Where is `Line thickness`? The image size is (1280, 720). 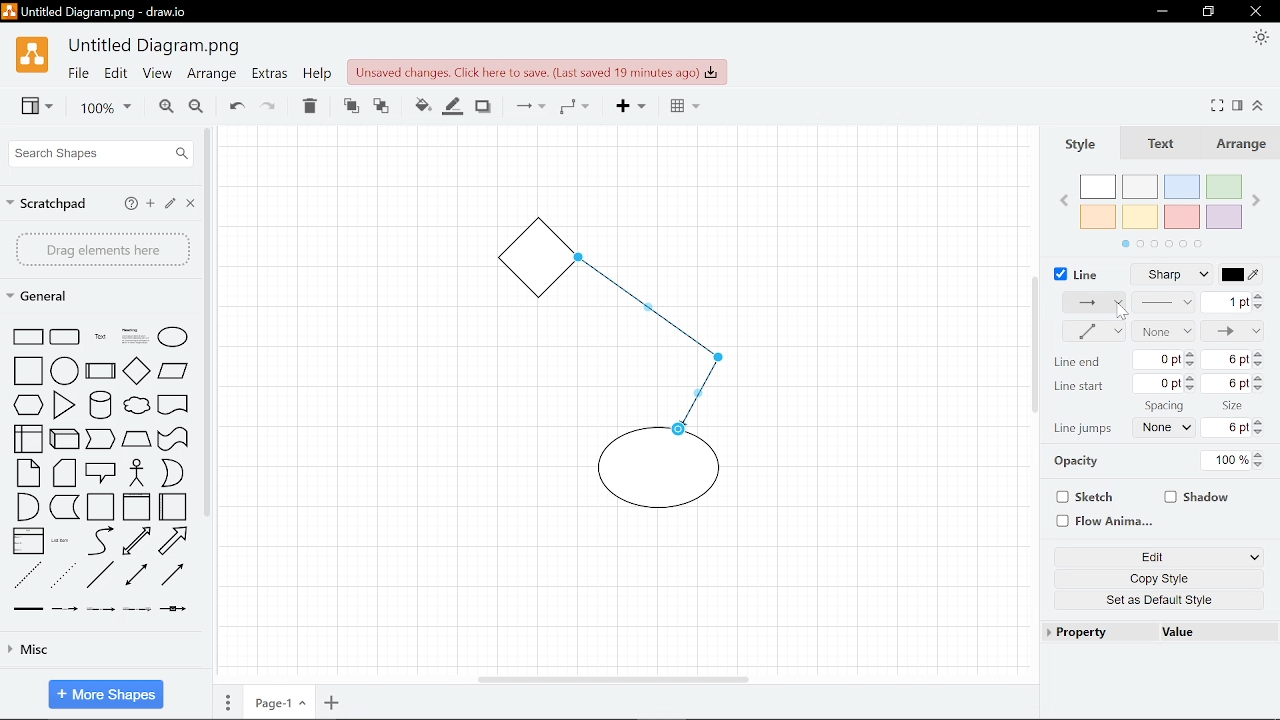 Line thickness is located at coordinates (1165, 302).